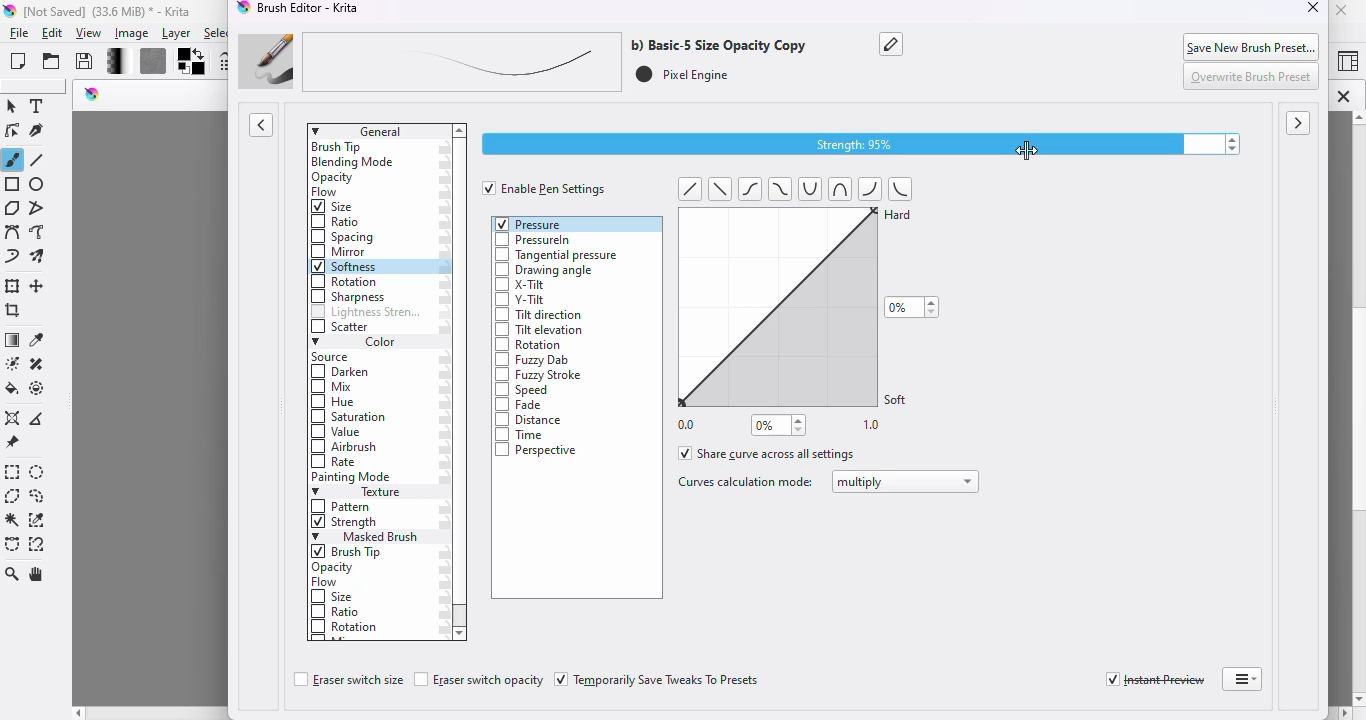  What do you see at coordinates (332, 178) in the screenshot?
I see `opacity` at bounding box center [332, 178].